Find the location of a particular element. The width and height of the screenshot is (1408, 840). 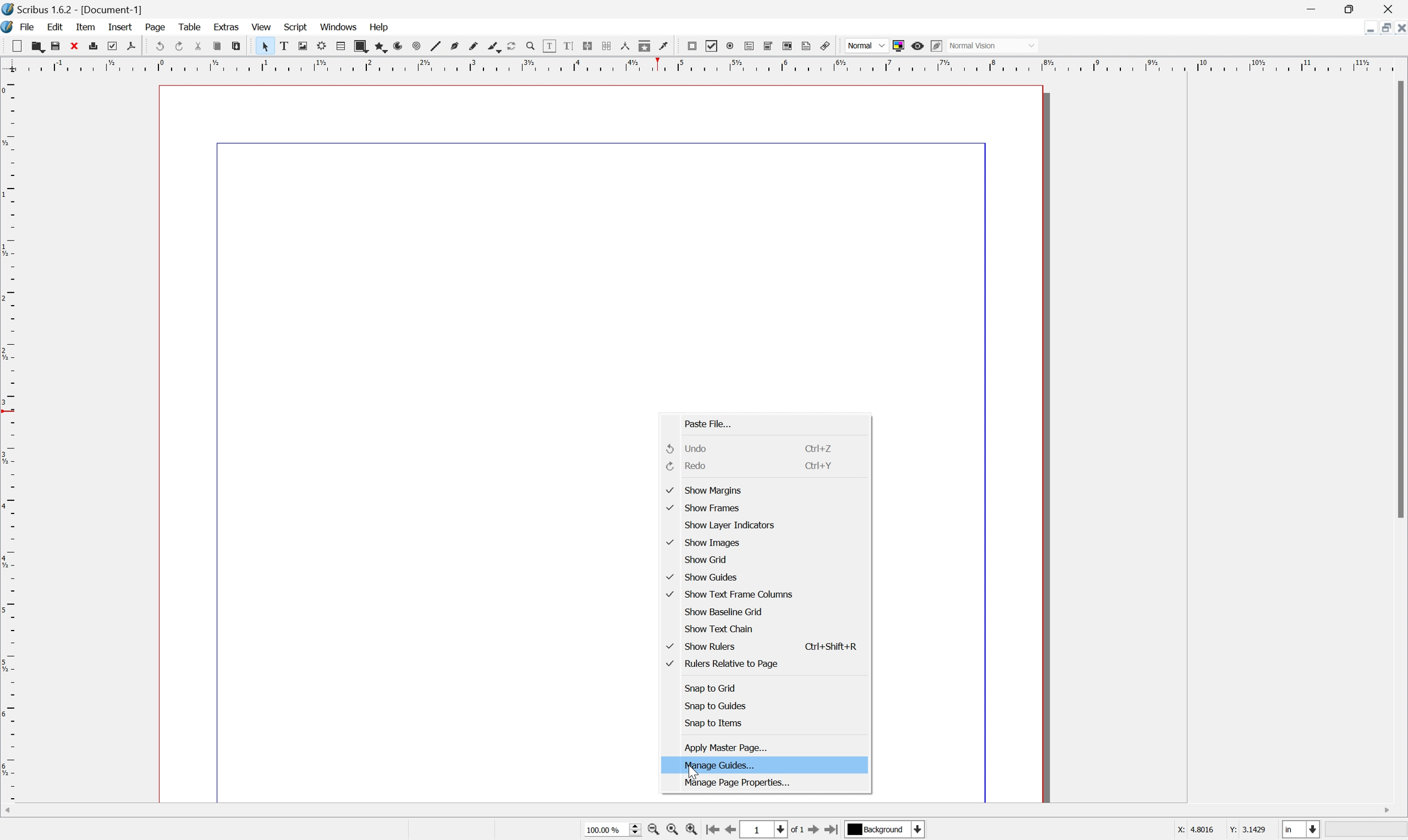

view is located at coordinates (264, 28).